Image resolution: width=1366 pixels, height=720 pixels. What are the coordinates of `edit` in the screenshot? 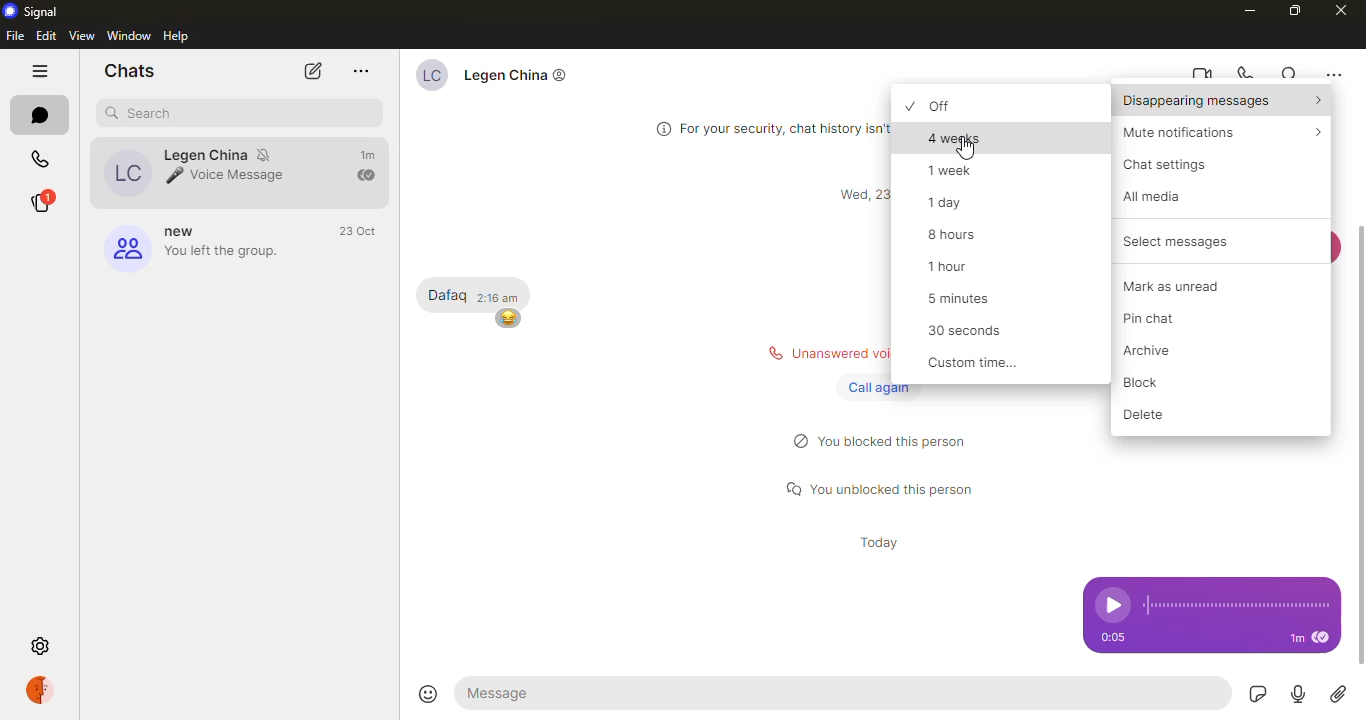 It's located at (45, 37).